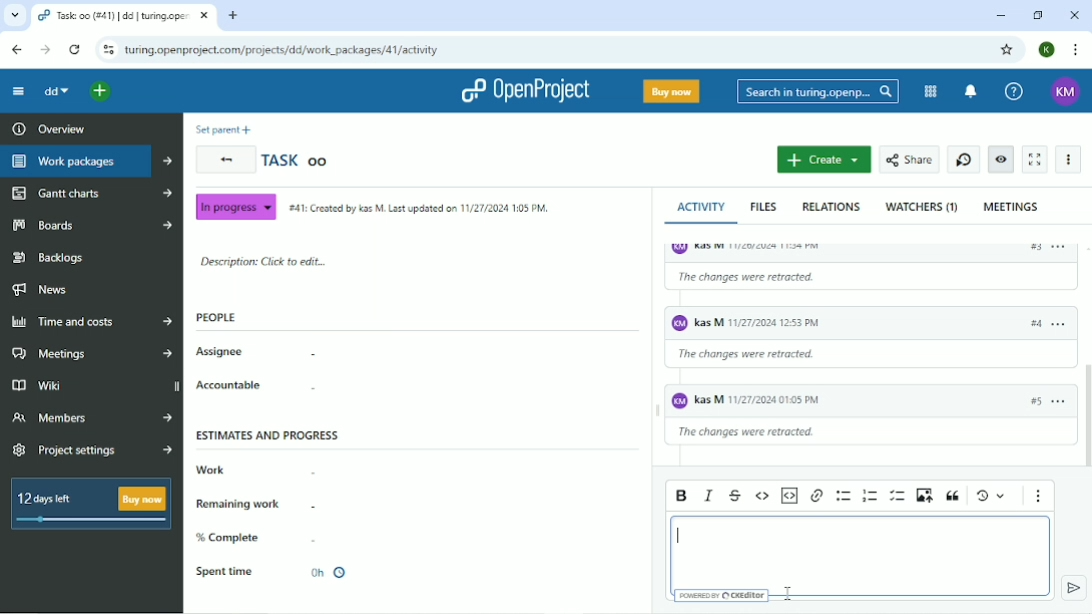  I want to click on Code, so click(762, 496).